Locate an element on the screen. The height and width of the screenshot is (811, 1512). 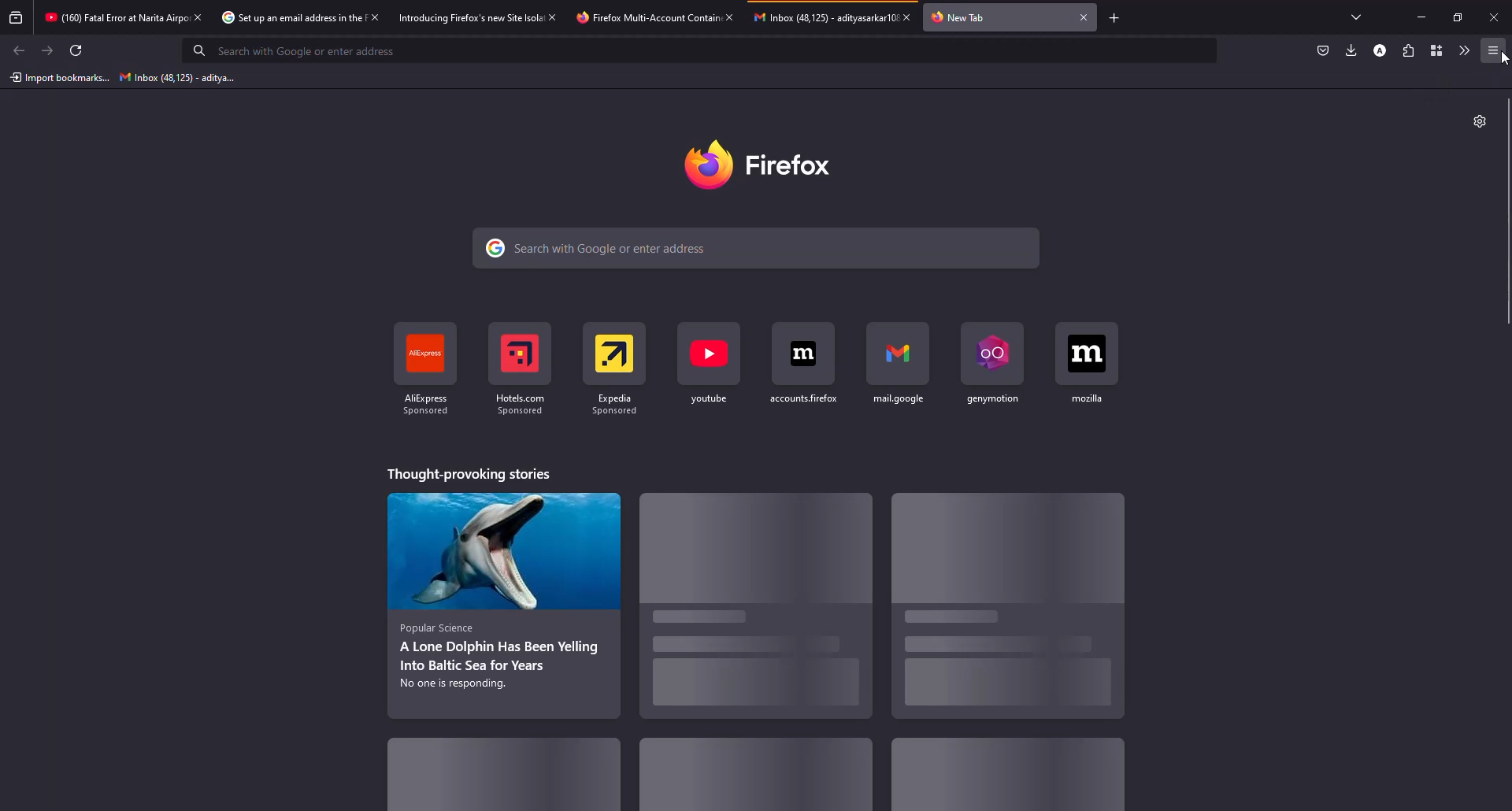
tab is located at coordinates (644, 17).